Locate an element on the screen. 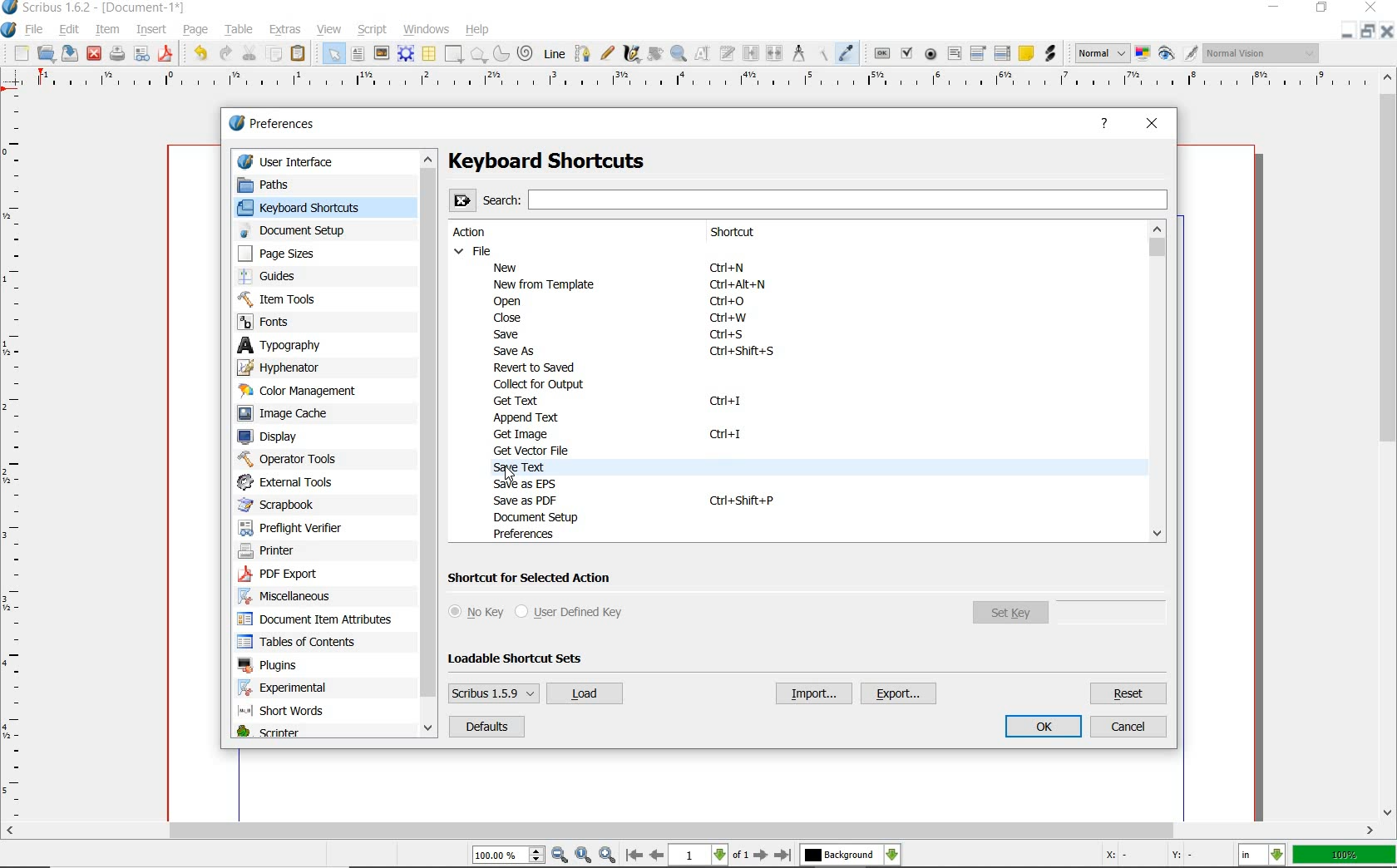  ruler is located at coordinates (699, 84).